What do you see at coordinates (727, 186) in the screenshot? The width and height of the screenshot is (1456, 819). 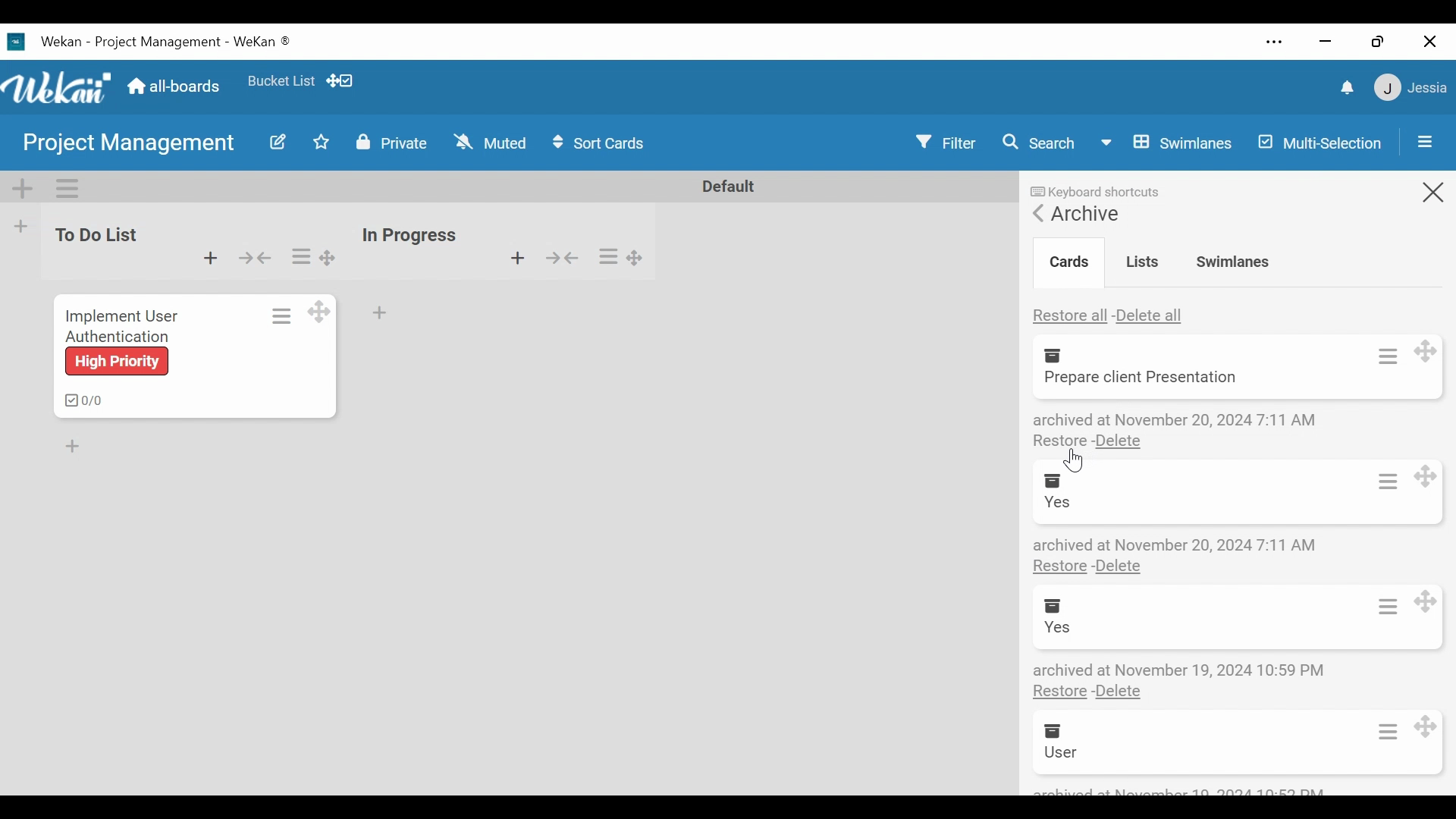 I see `Default Name` at bounding box center [727, 186].